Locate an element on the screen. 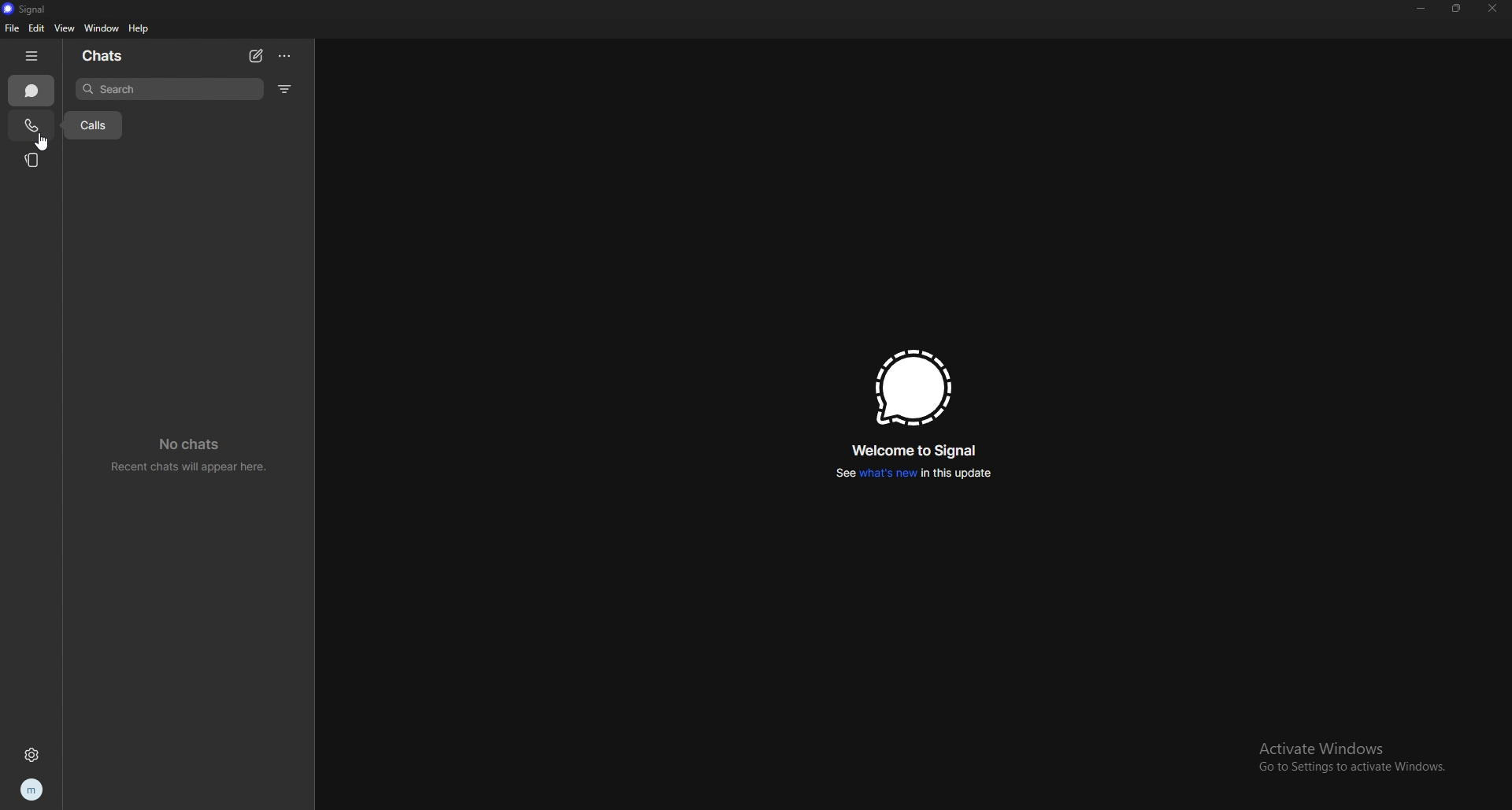 Image resolution: width=1512 pixels, height=810 pixels. window is located at coordinates (105, 28).